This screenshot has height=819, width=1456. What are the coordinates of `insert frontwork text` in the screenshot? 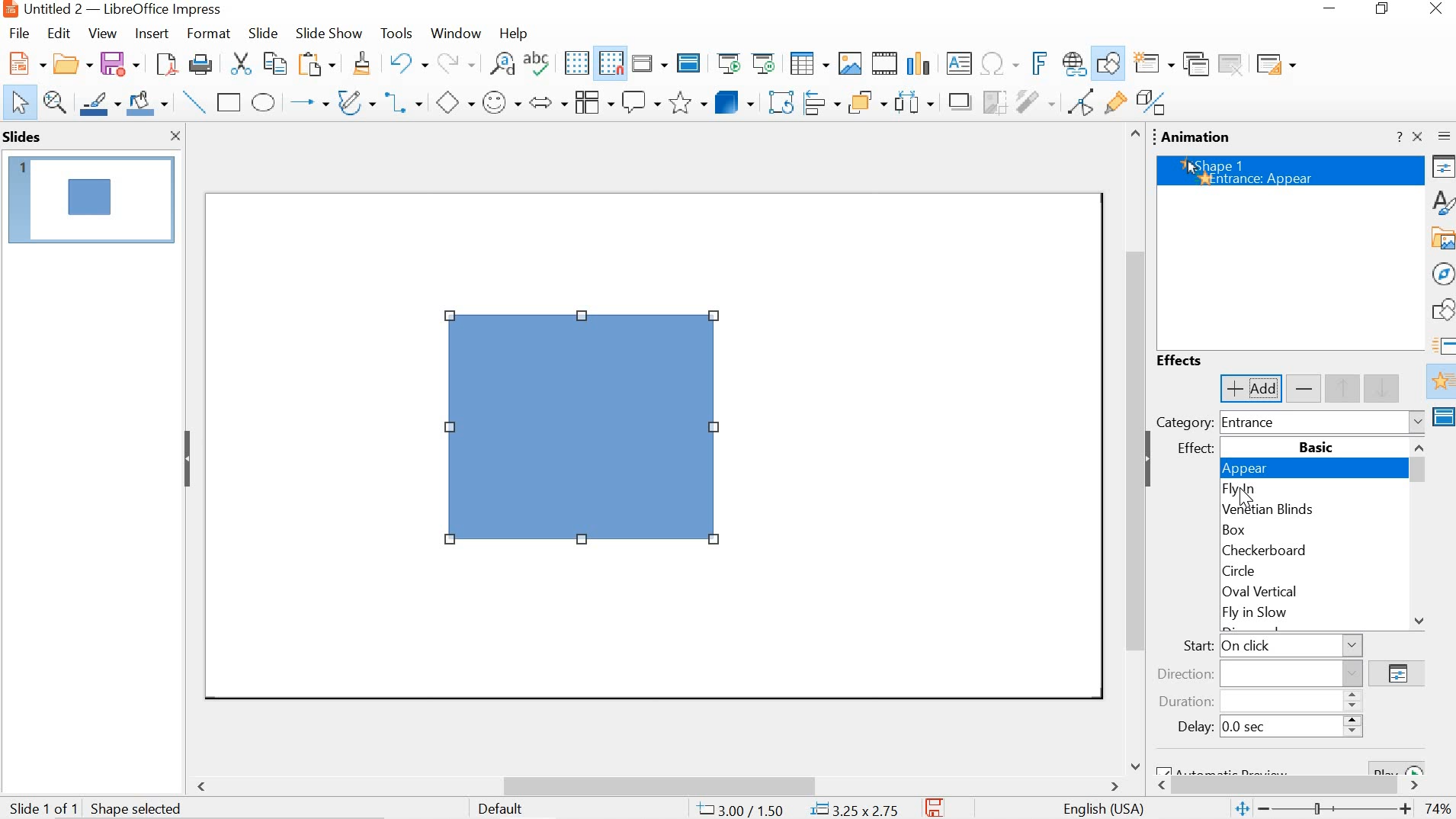 It's located at (1041, 63).